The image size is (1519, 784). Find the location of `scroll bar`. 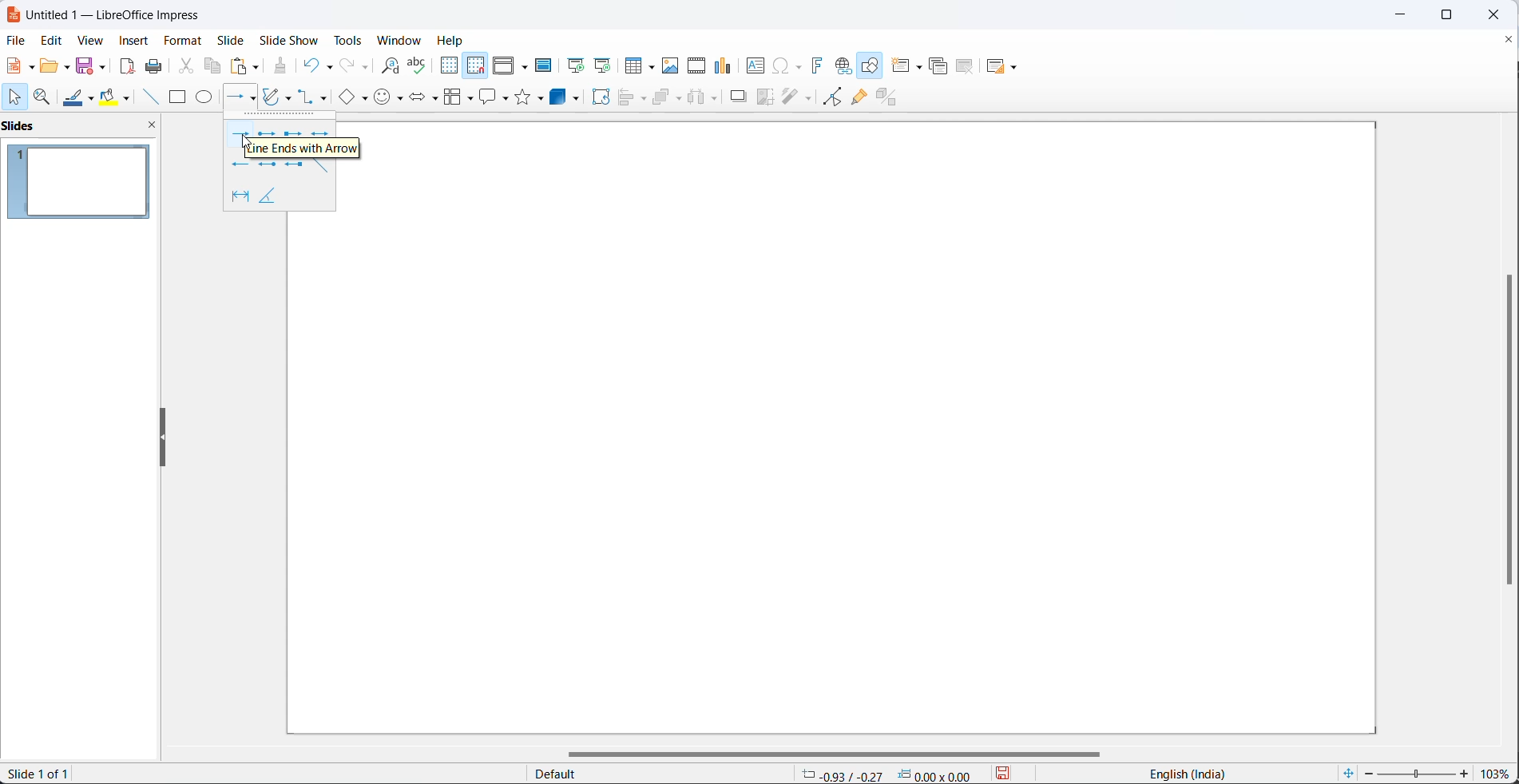

scroll bar is located at coordinates (1503, 430).